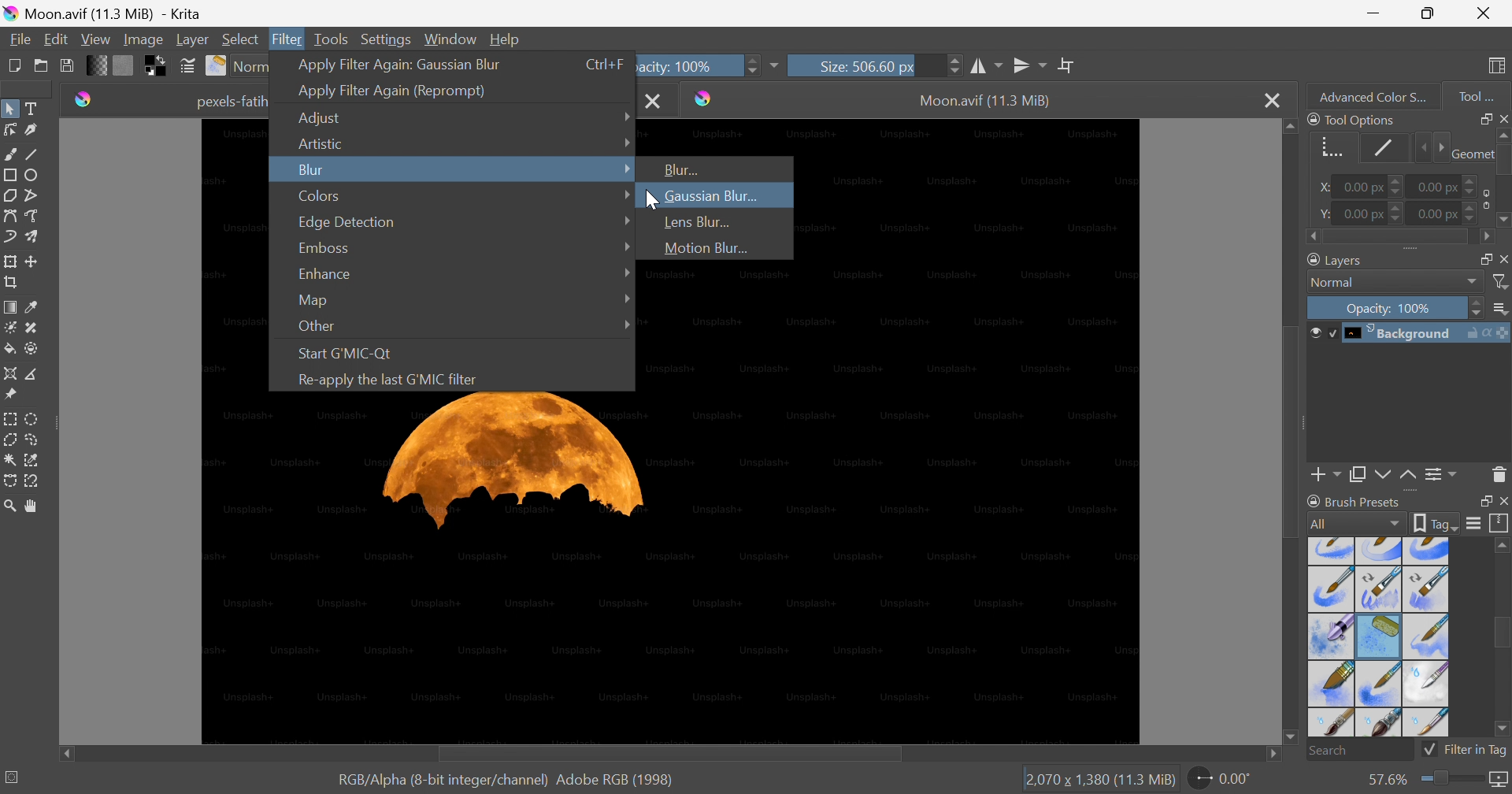  Describe the element at coordinates (613, 779) in the screenshot. I see `Adobe RGB (1998)` at that location.